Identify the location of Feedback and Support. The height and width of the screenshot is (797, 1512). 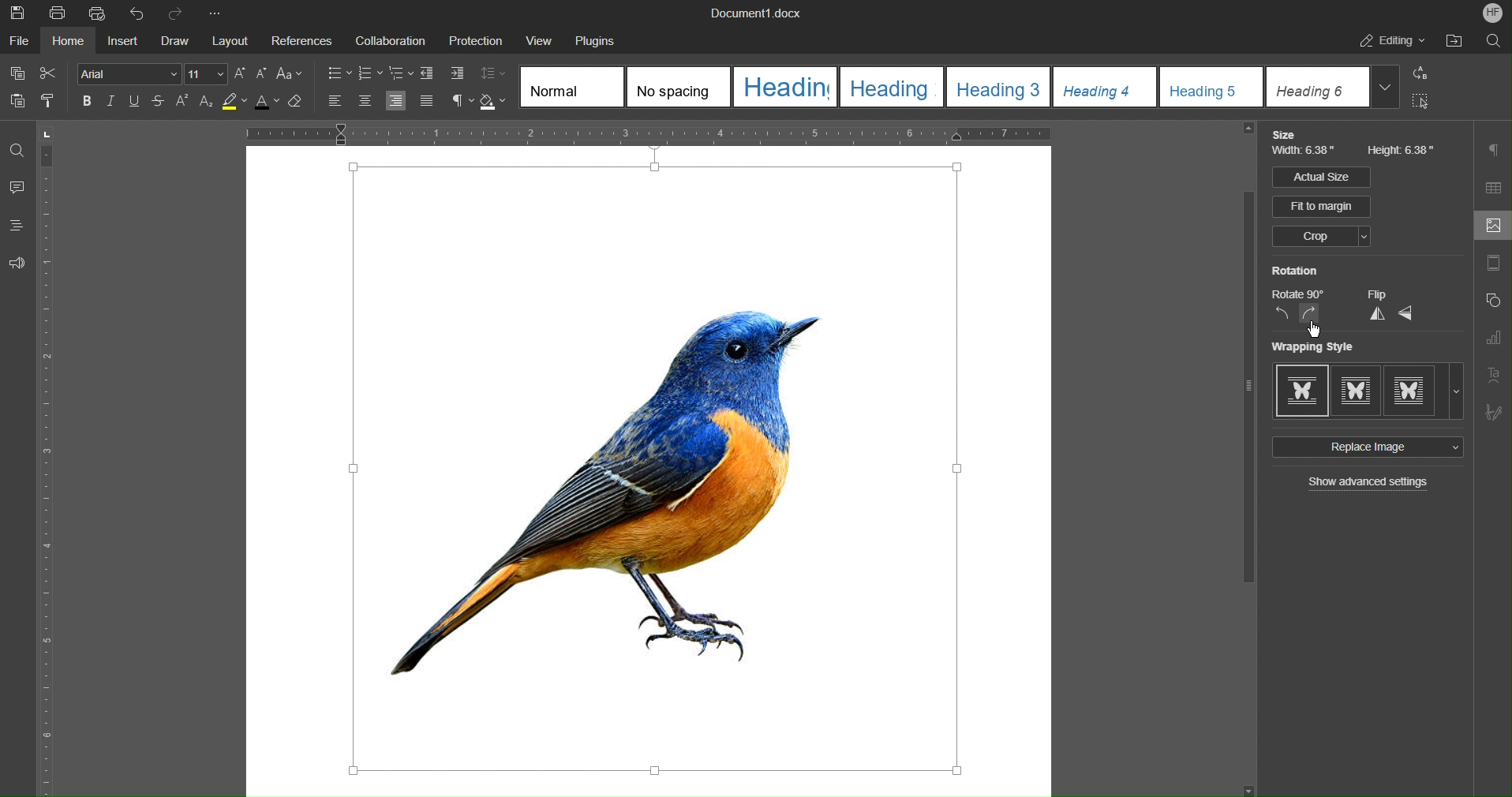
(16, 262).